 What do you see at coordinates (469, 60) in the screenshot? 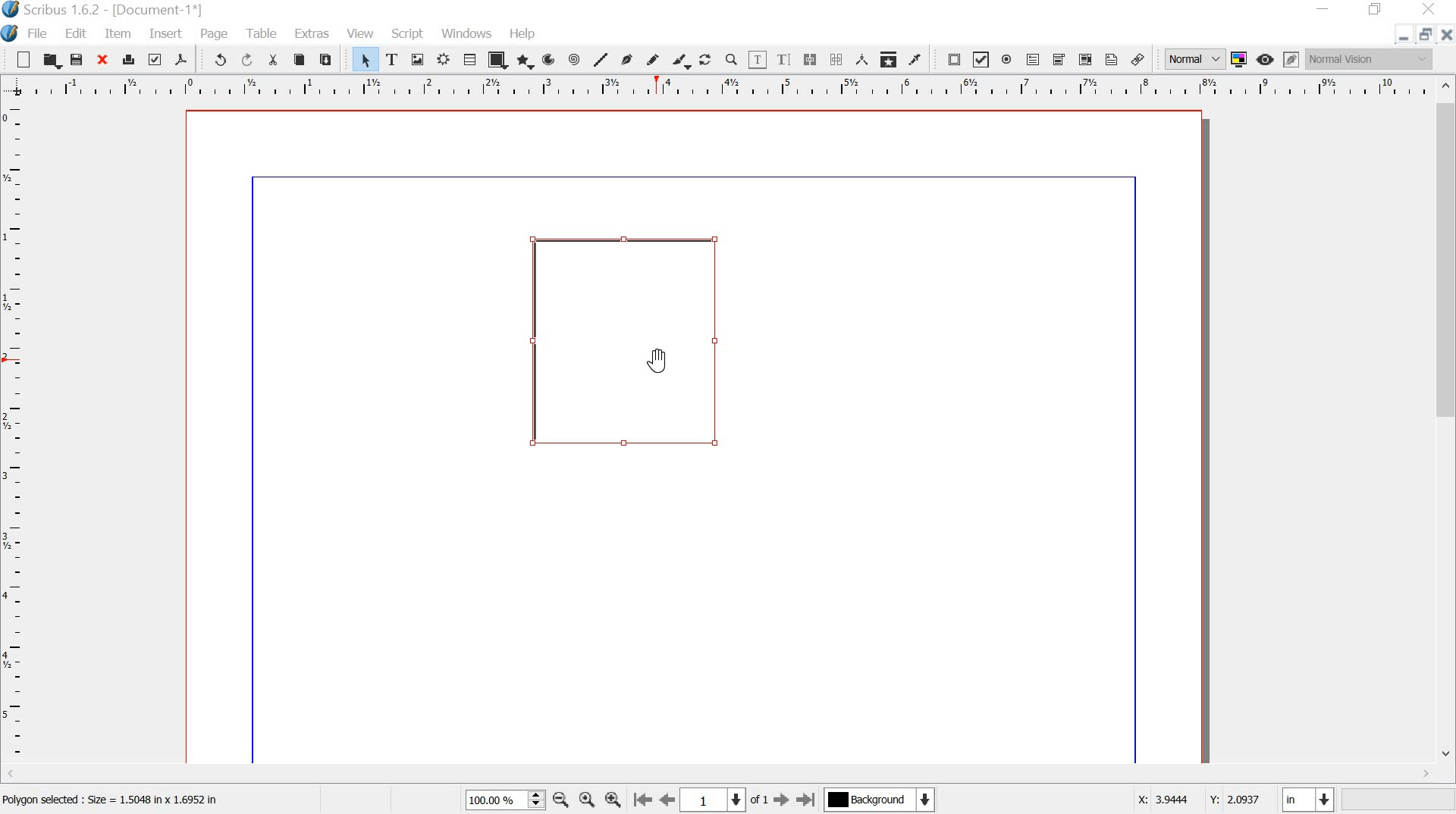
I see `table` at bounding box center [469, 60].